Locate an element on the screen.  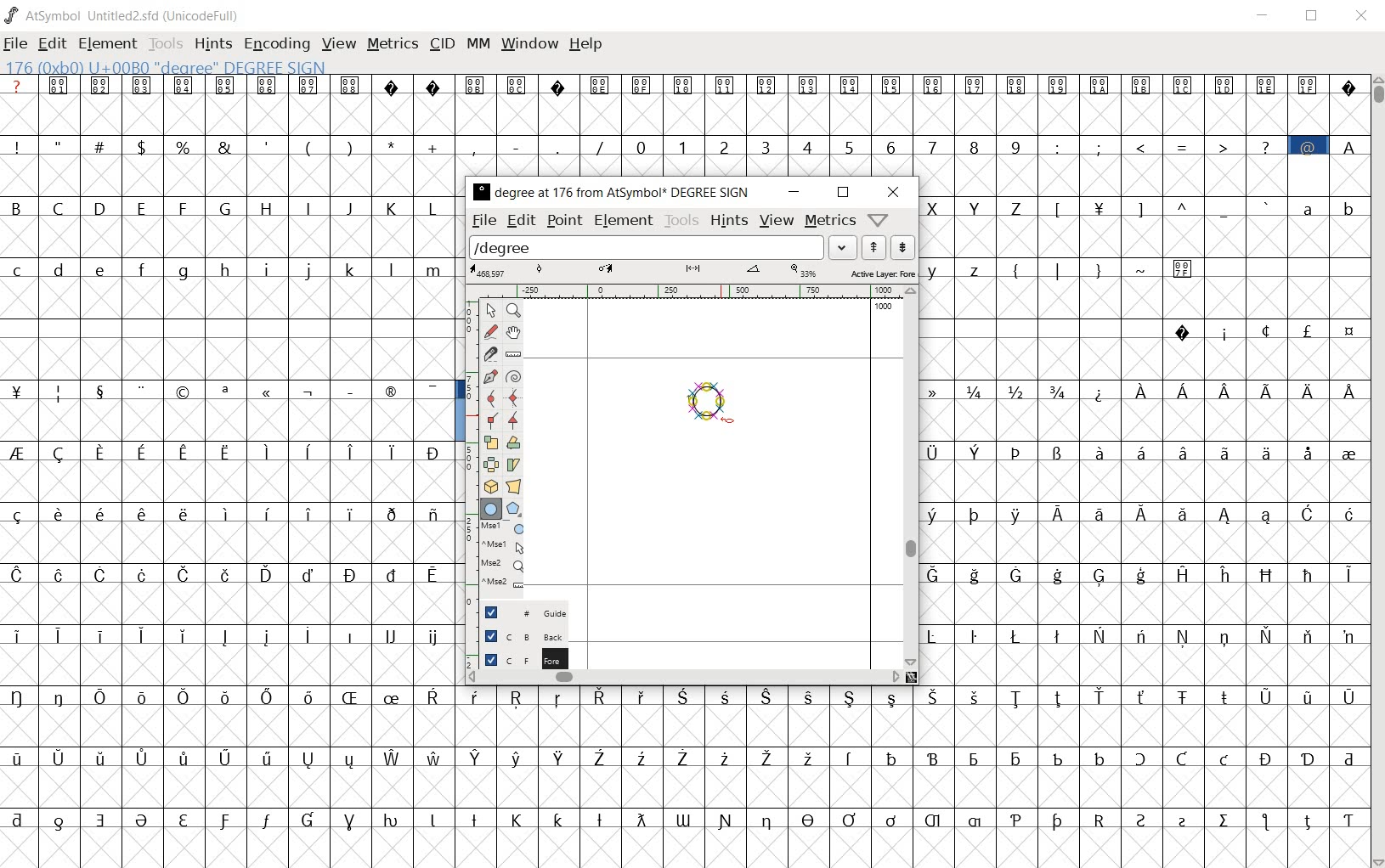
scale the selection is located at coordinates (489, 442).